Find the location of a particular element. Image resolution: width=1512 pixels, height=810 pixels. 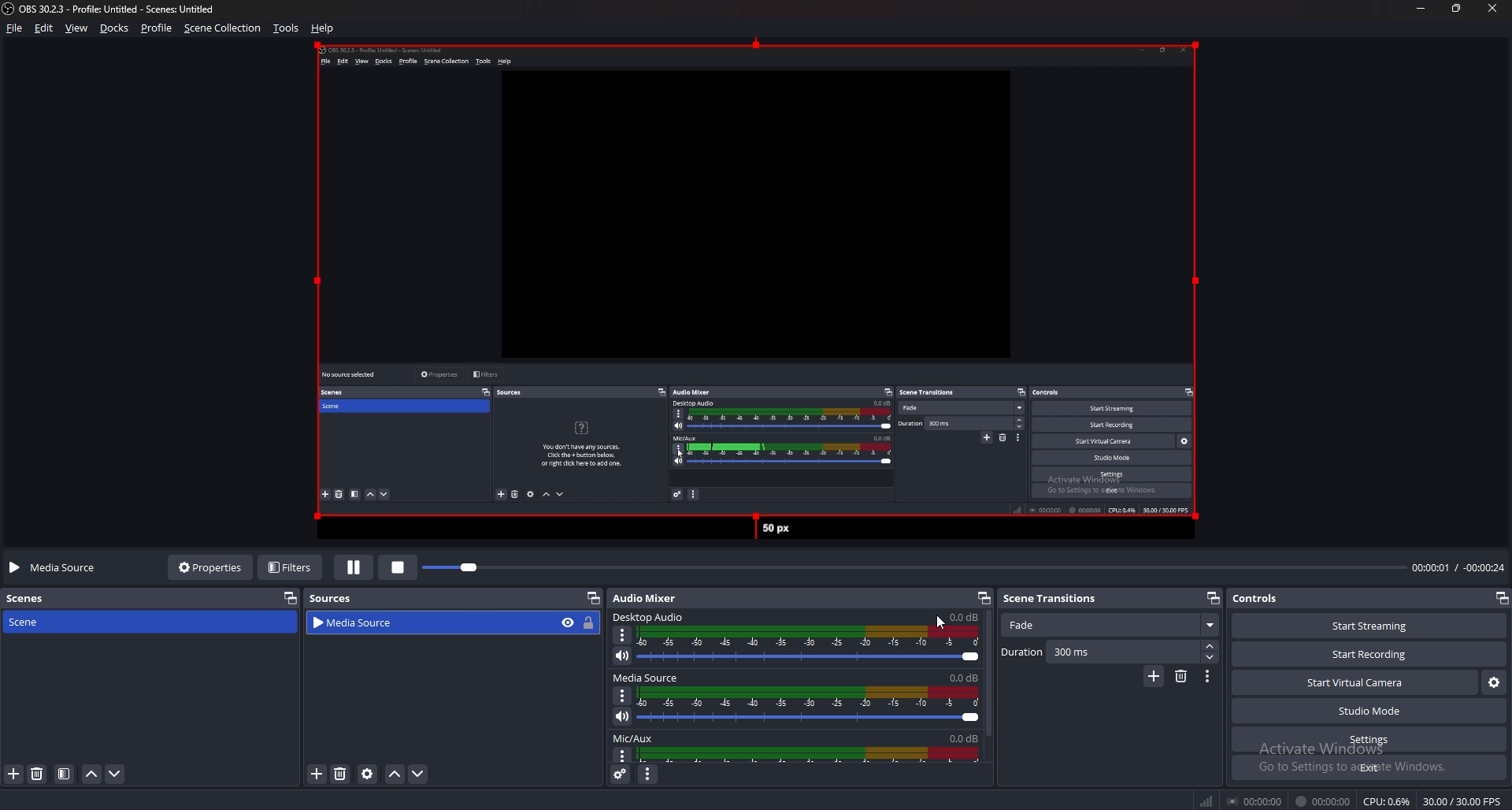

Decrease duration is located at coordinates (1211, 657).